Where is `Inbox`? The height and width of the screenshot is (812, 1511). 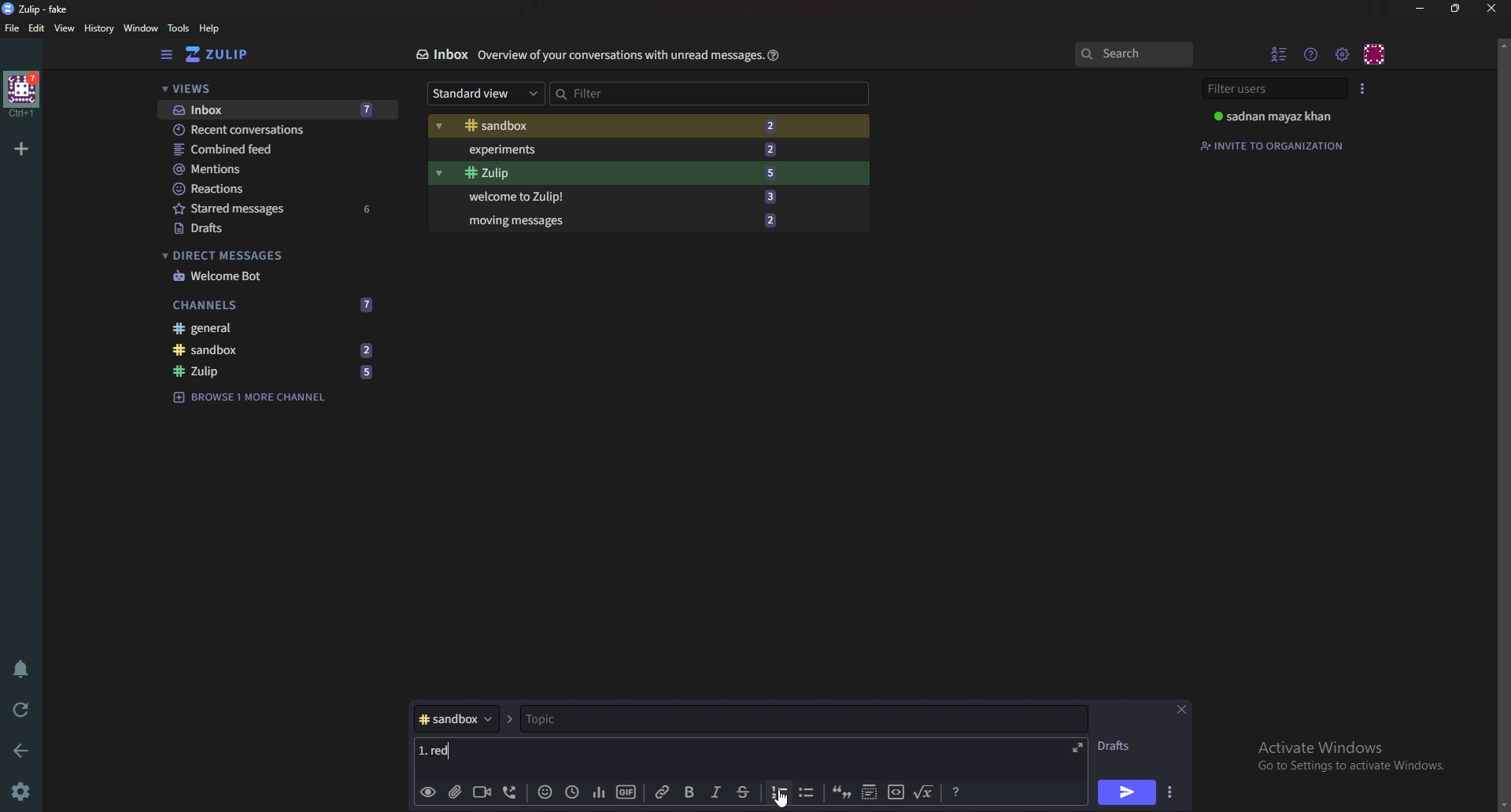
Inbox is located at coordinates (272, 109).